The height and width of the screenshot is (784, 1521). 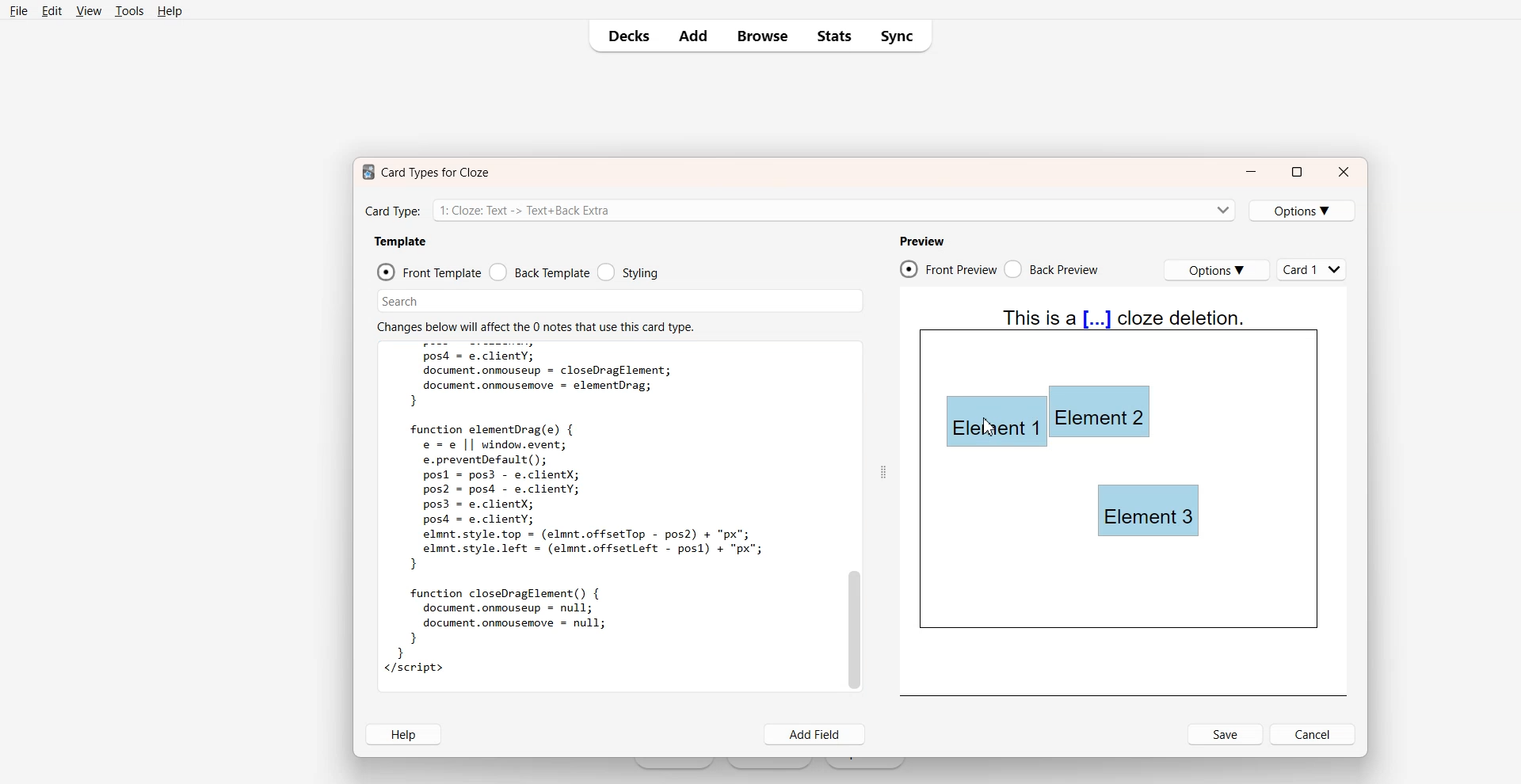 I want to click on Browse, so click(x=761, y=36).